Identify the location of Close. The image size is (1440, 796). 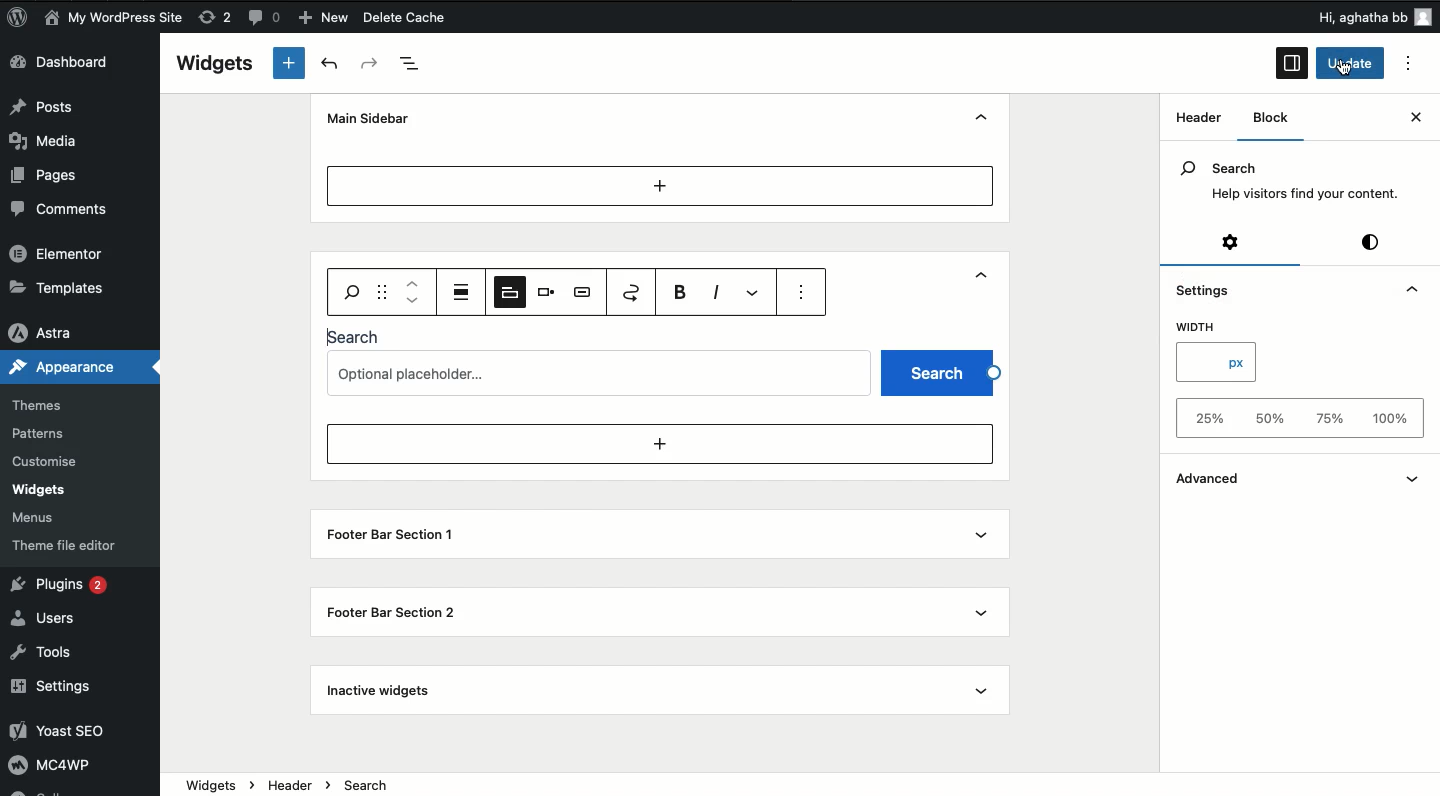
(1396, 120).